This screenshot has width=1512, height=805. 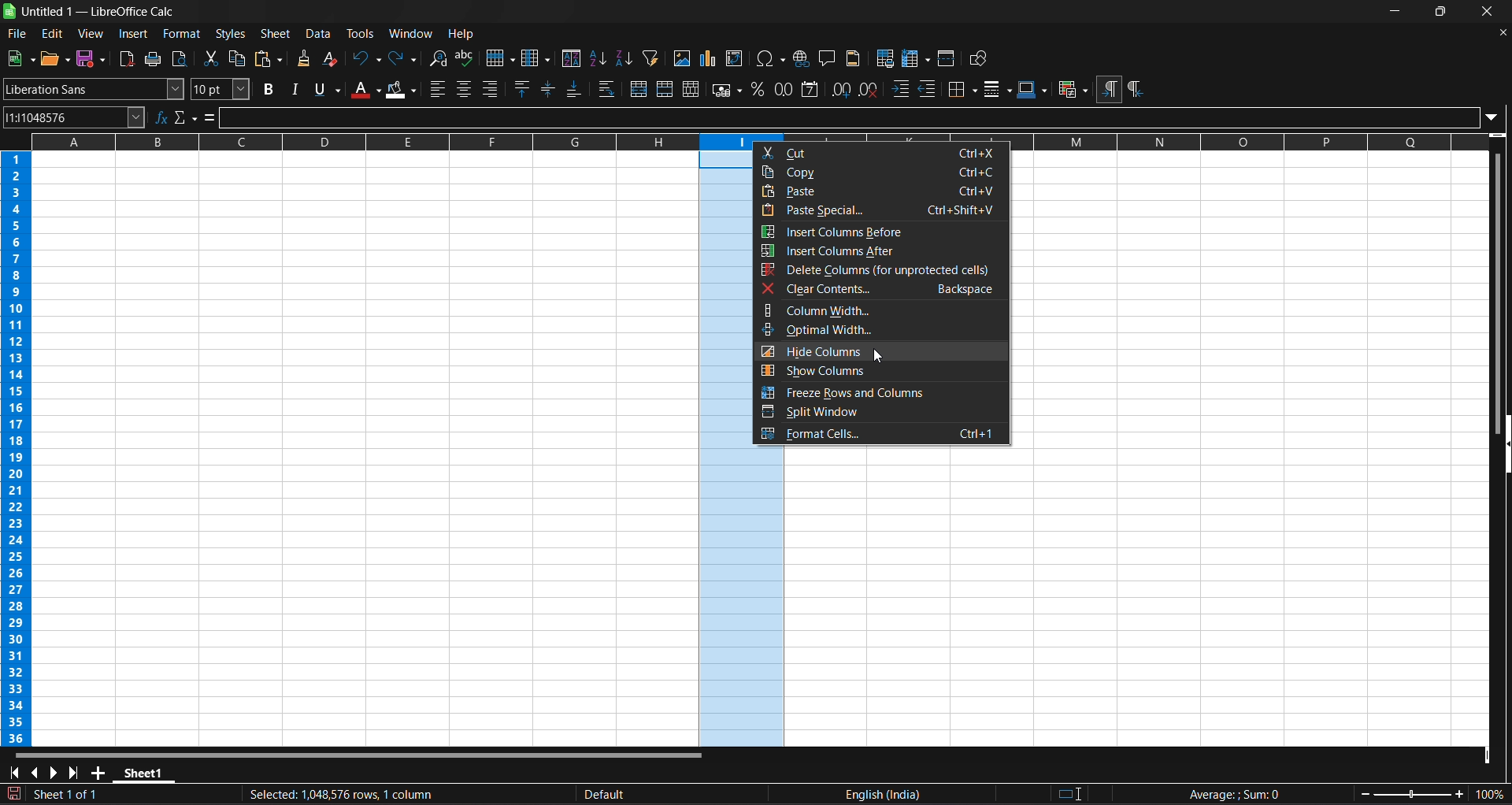 I want to click on clear contents, so click(x=884, y=292).